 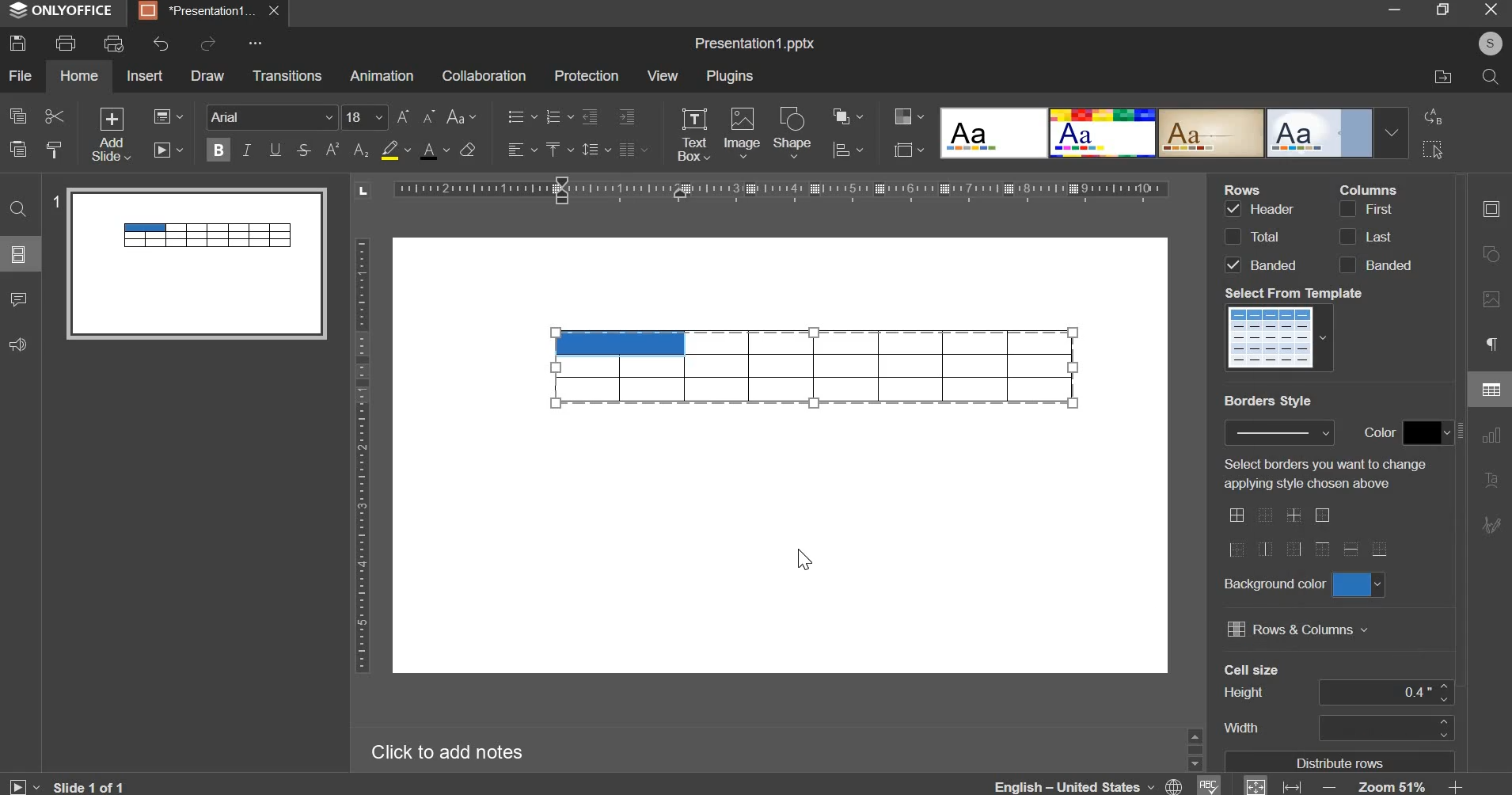 I want to click on text box, so click(x=693, y=135).